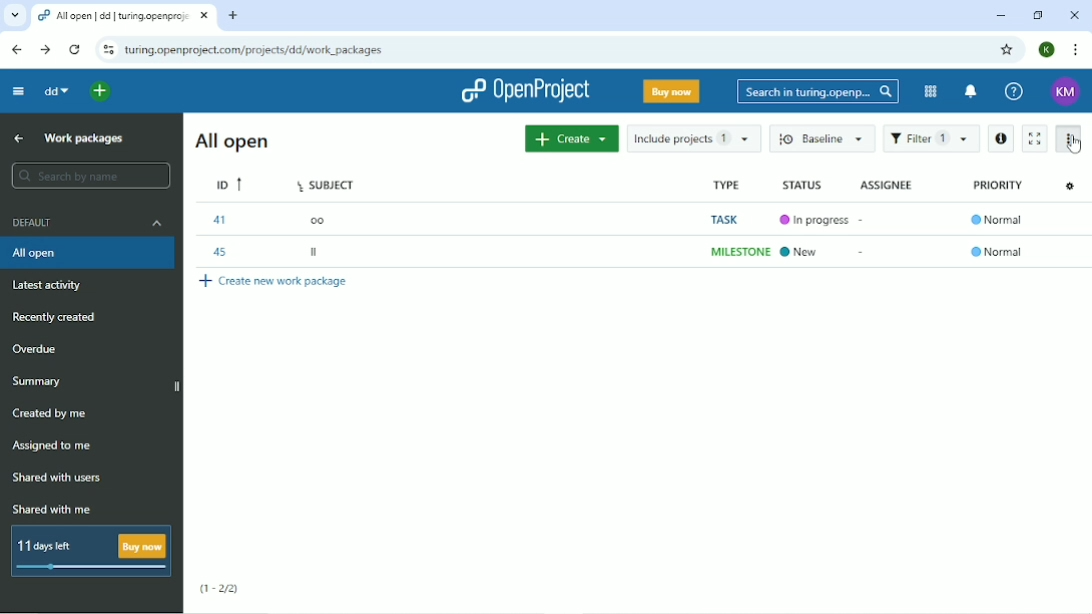 The image size is (1092, 614). What do you see at coordinates (887, 184) in the screenshot?
I see `Assignee` at bounding box center [887, 184].